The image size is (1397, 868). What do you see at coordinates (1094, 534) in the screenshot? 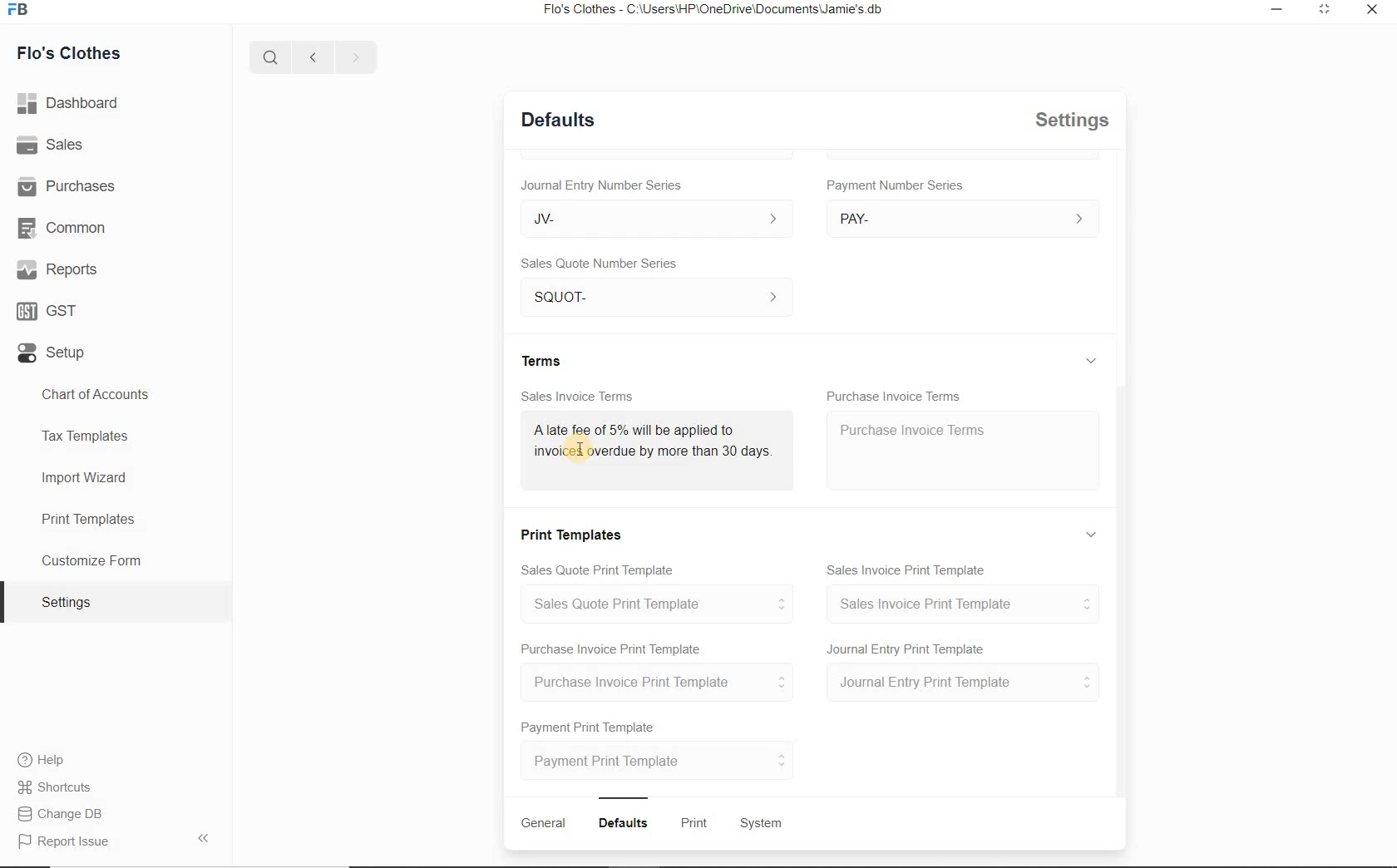
I see `Expand` at bounding box center [1094, 534].